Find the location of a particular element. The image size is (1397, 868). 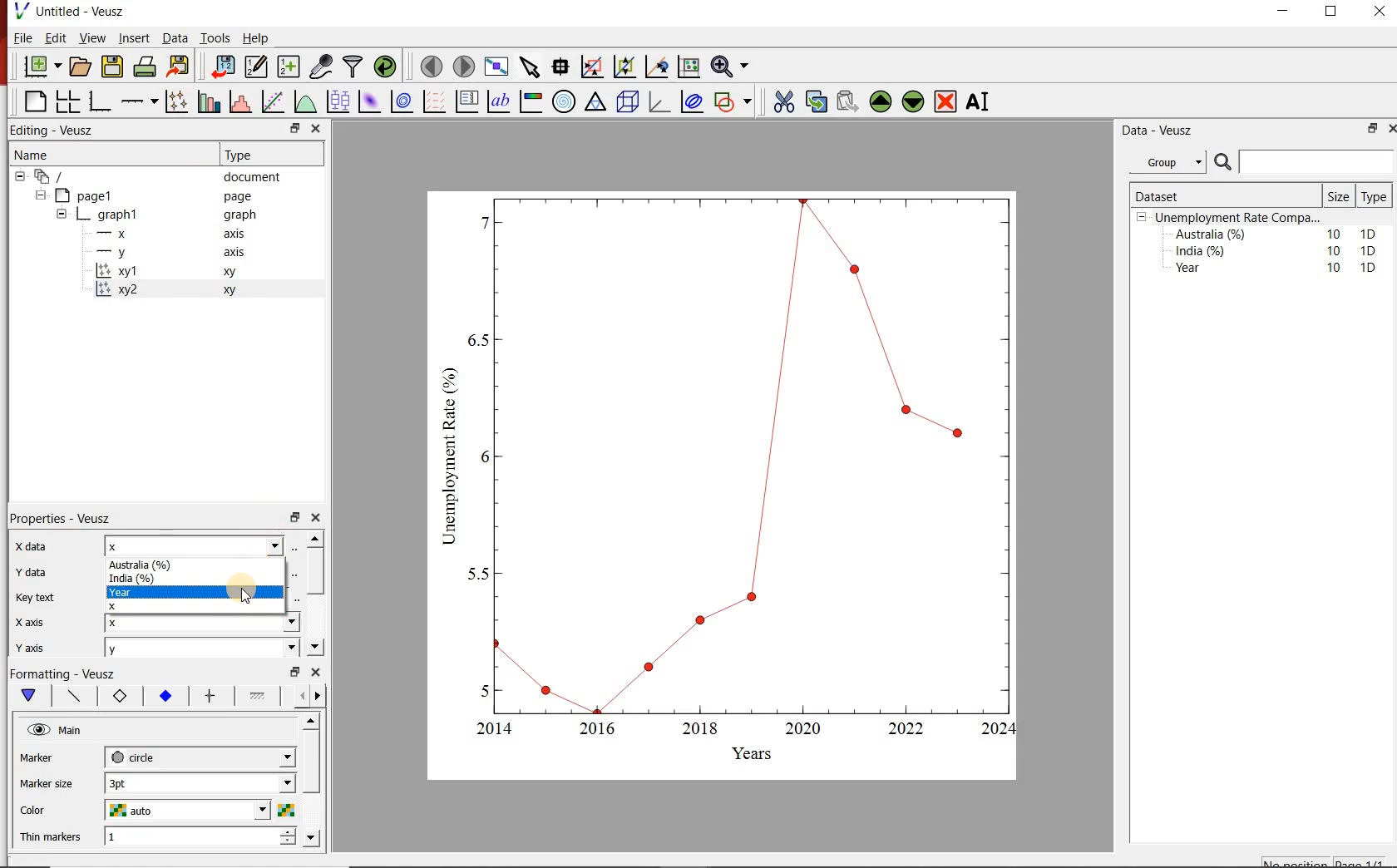

reload datasets is located at coordinates (386, 66).